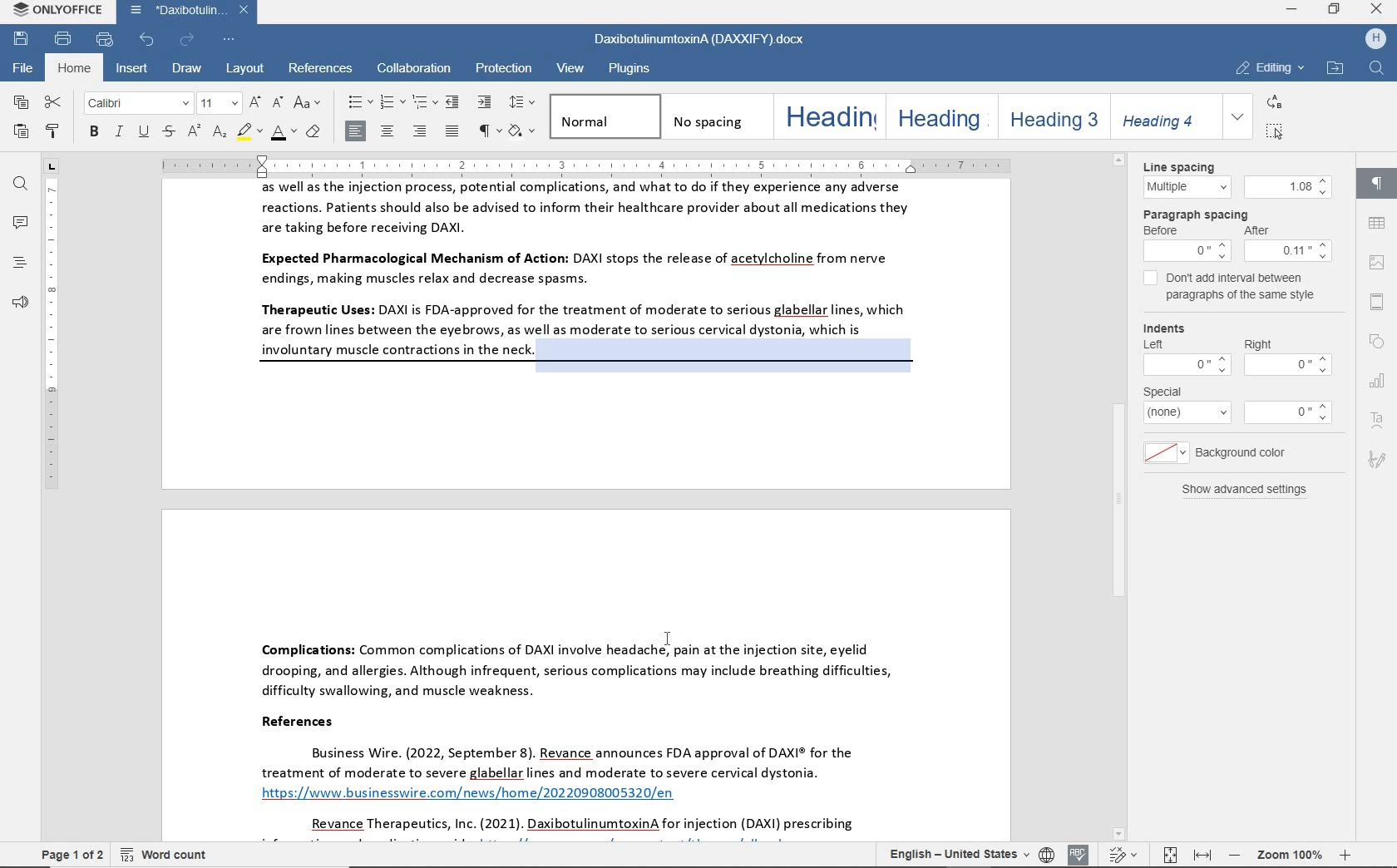  I want to click on find, so click(21, 185).